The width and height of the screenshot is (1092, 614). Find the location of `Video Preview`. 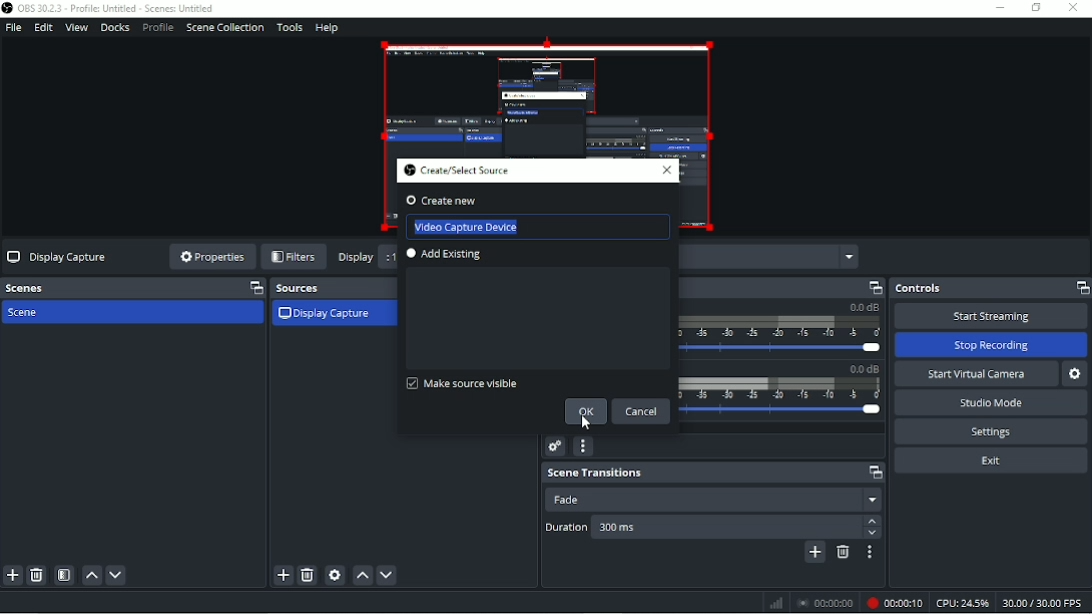

Video Preview is located at coordinates (545, 96).